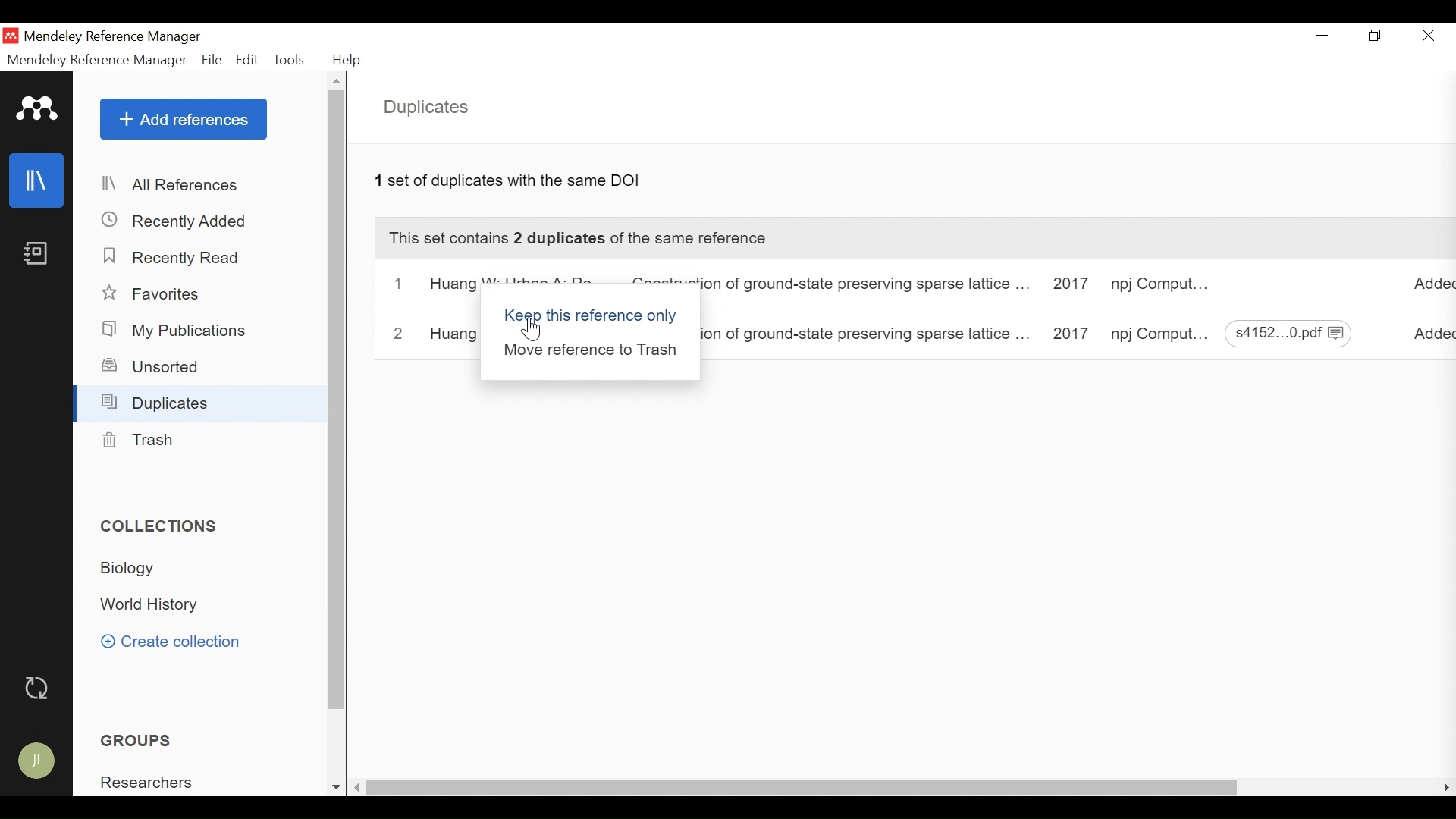  What do you see at coordinates (38, 686) in the screenshot?
I see `Sync` at bounding box center [38, 686].